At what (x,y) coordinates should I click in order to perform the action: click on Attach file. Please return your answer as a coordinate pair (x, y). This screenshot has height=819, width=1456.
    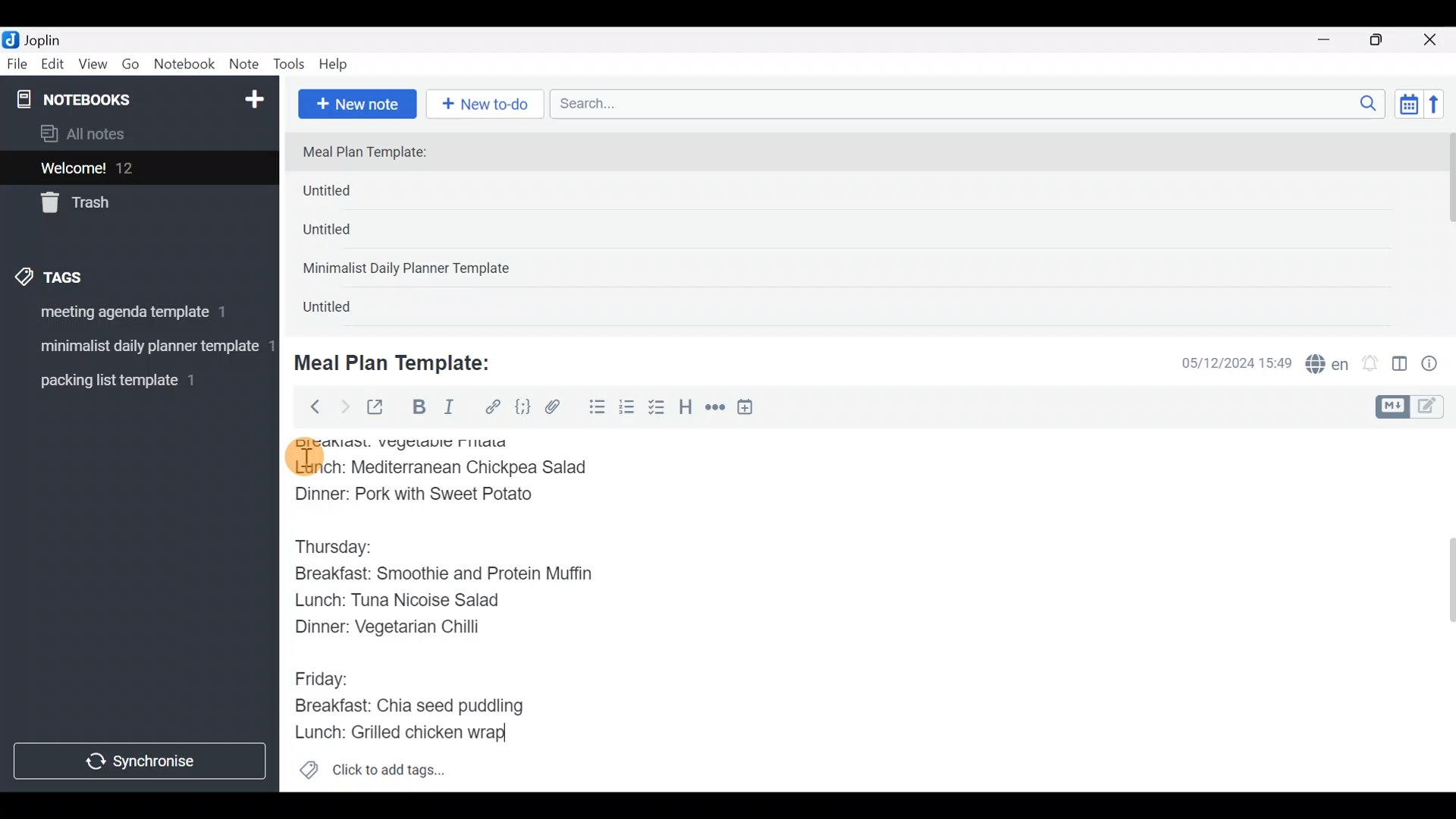
    Looking at the image, I should click on (557, 409).